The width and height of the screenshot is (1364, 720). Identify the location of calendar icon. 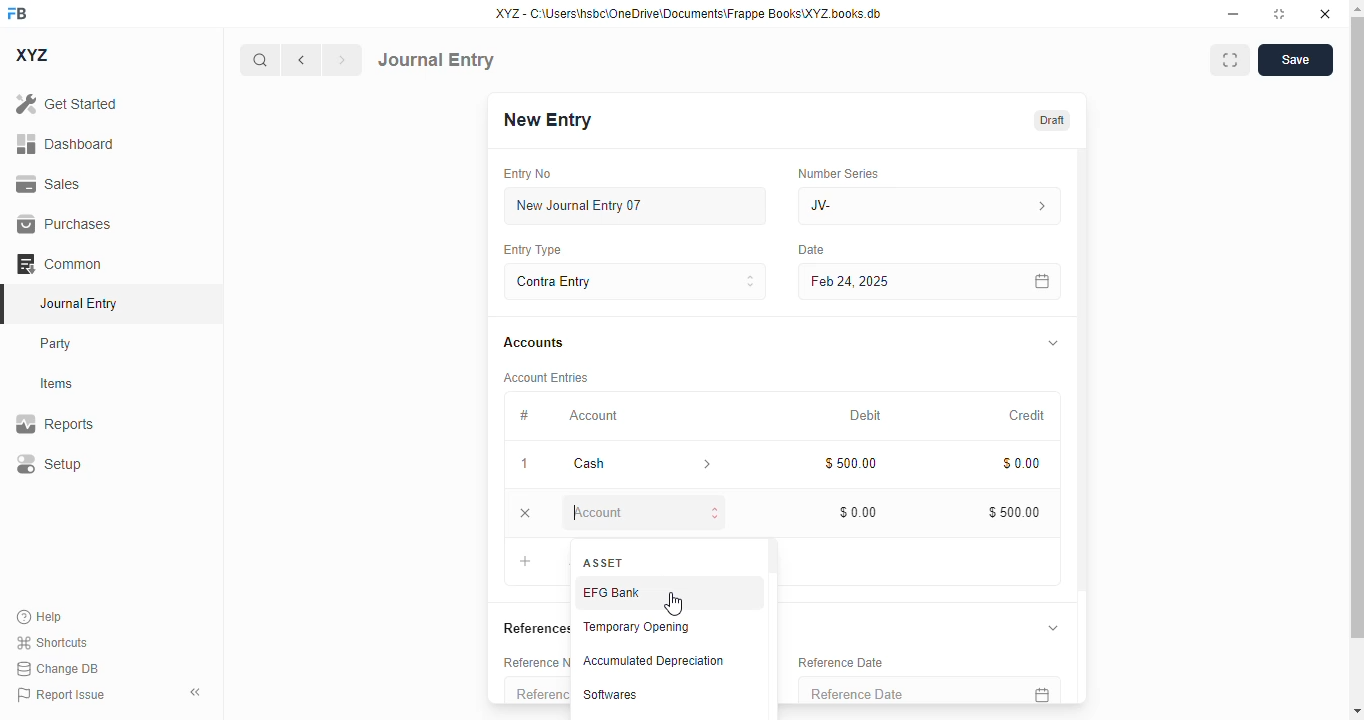
(1039, 691).